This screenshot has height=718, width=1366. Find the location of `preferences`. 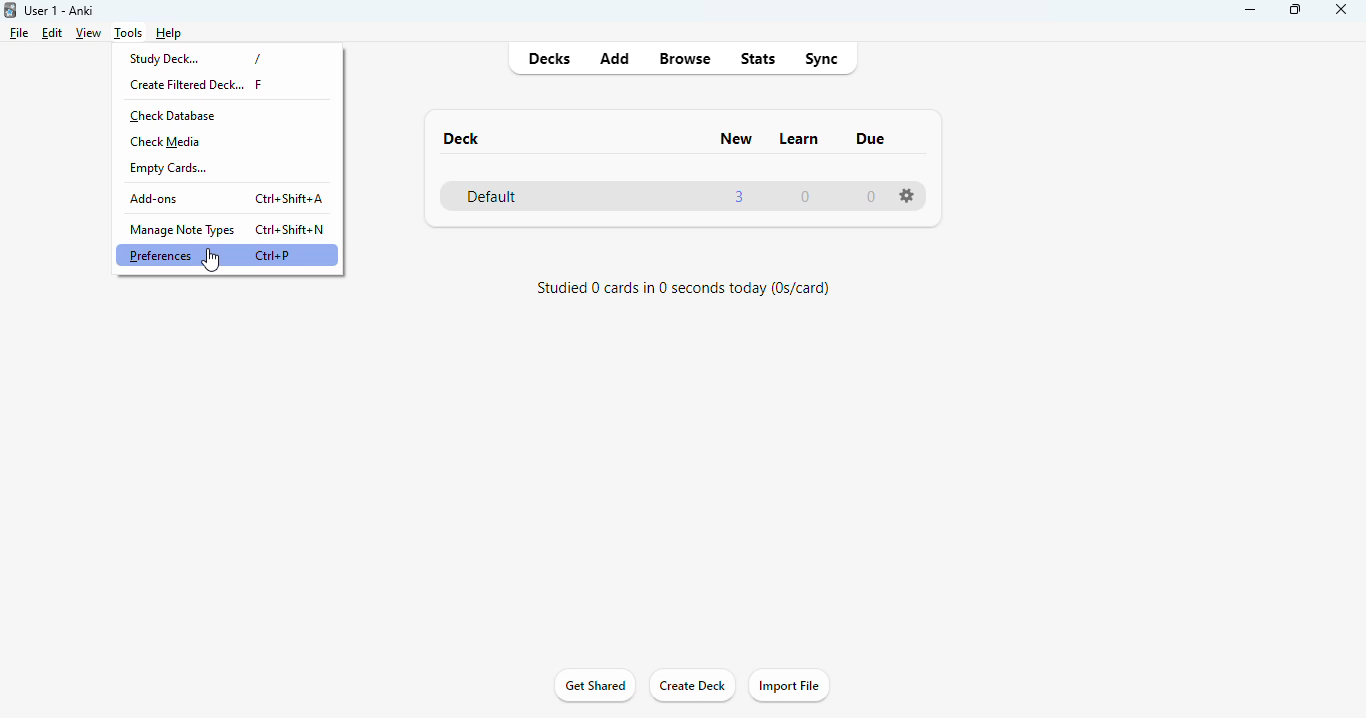

preferences is located at coordinates (161, 255).